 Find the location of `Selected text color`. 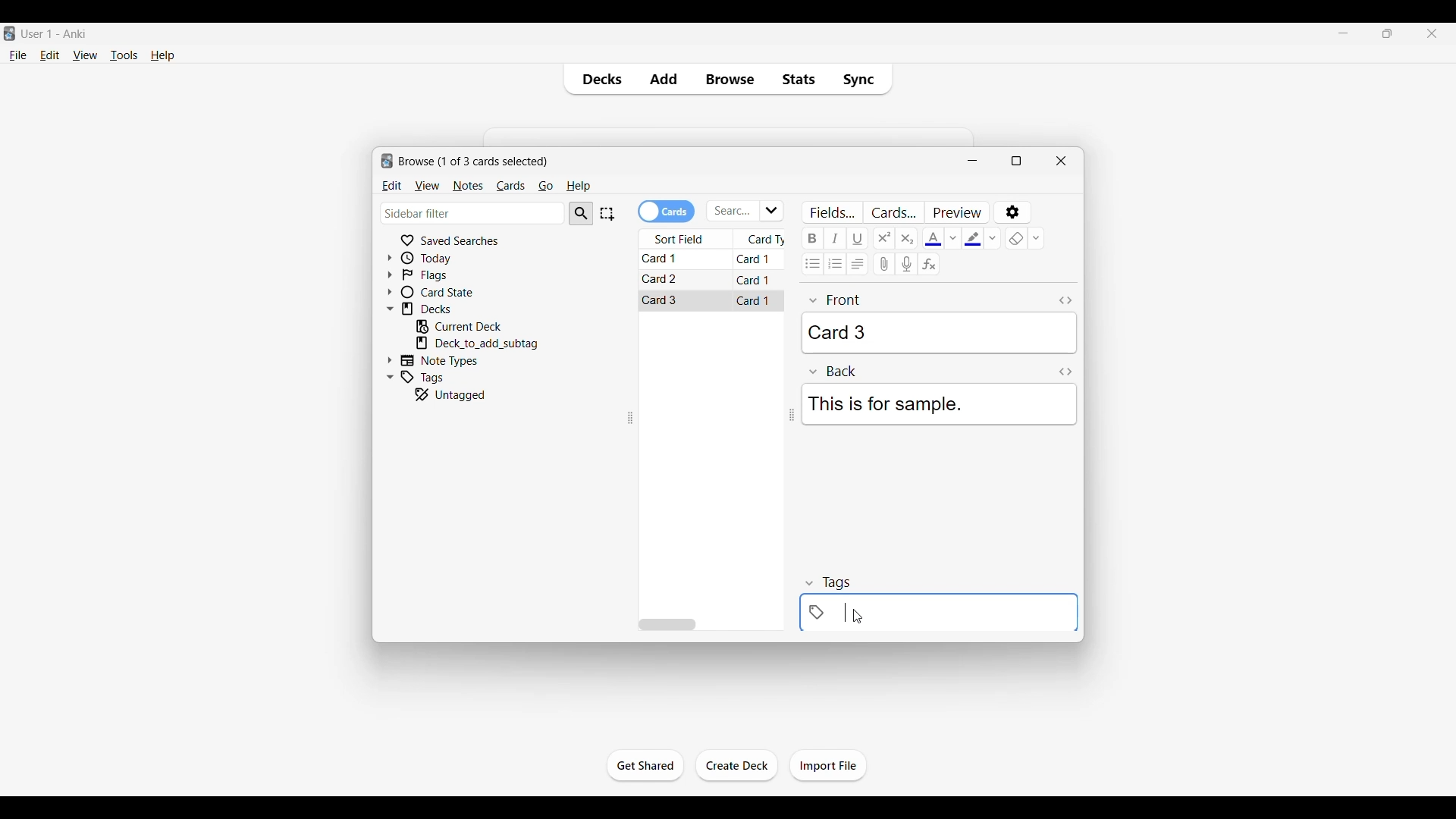

Selected text color is located at coordinates (933, 239).